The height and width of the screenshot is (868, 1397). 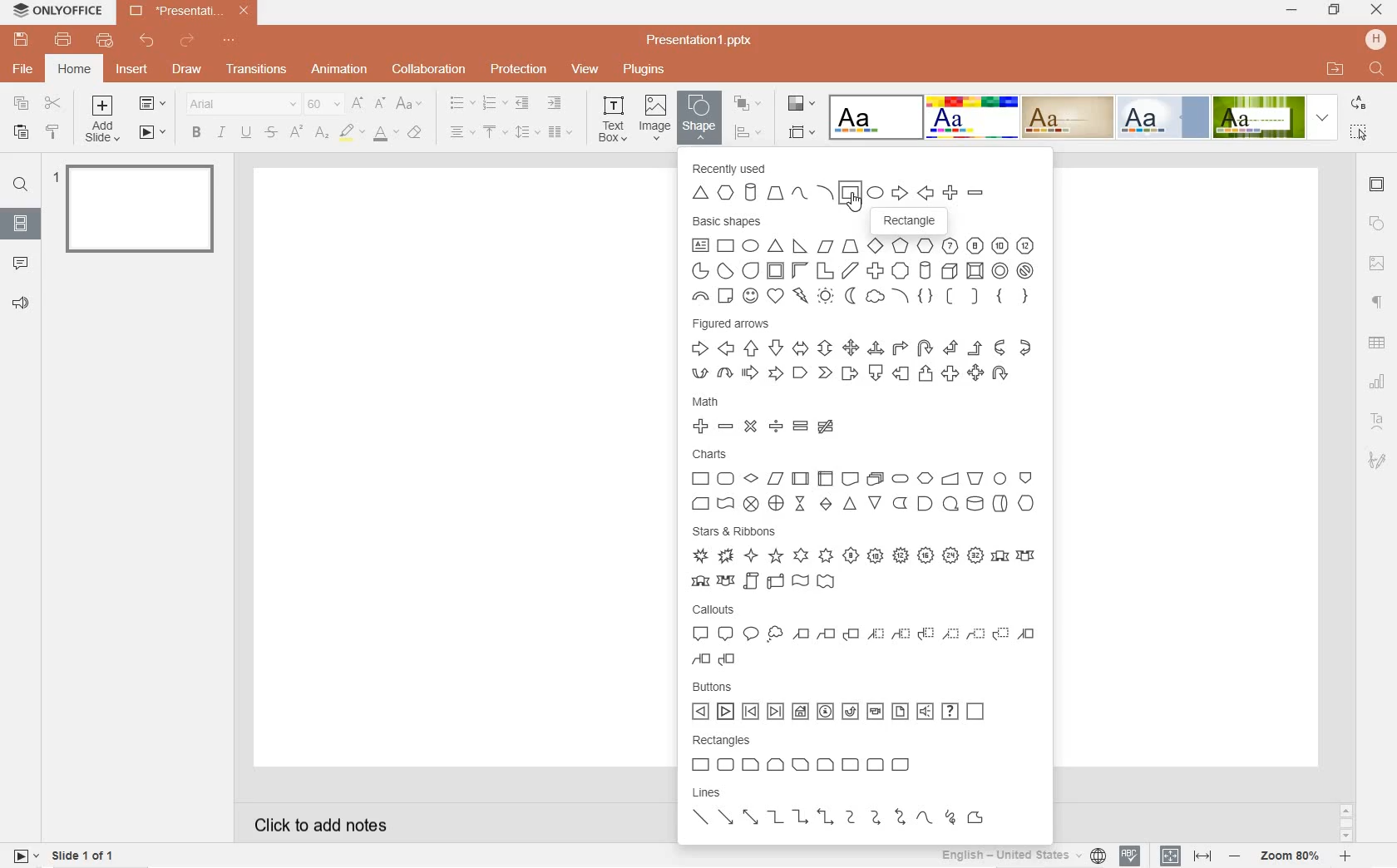 I want to click on collaboration, so click(x=430, y=69).